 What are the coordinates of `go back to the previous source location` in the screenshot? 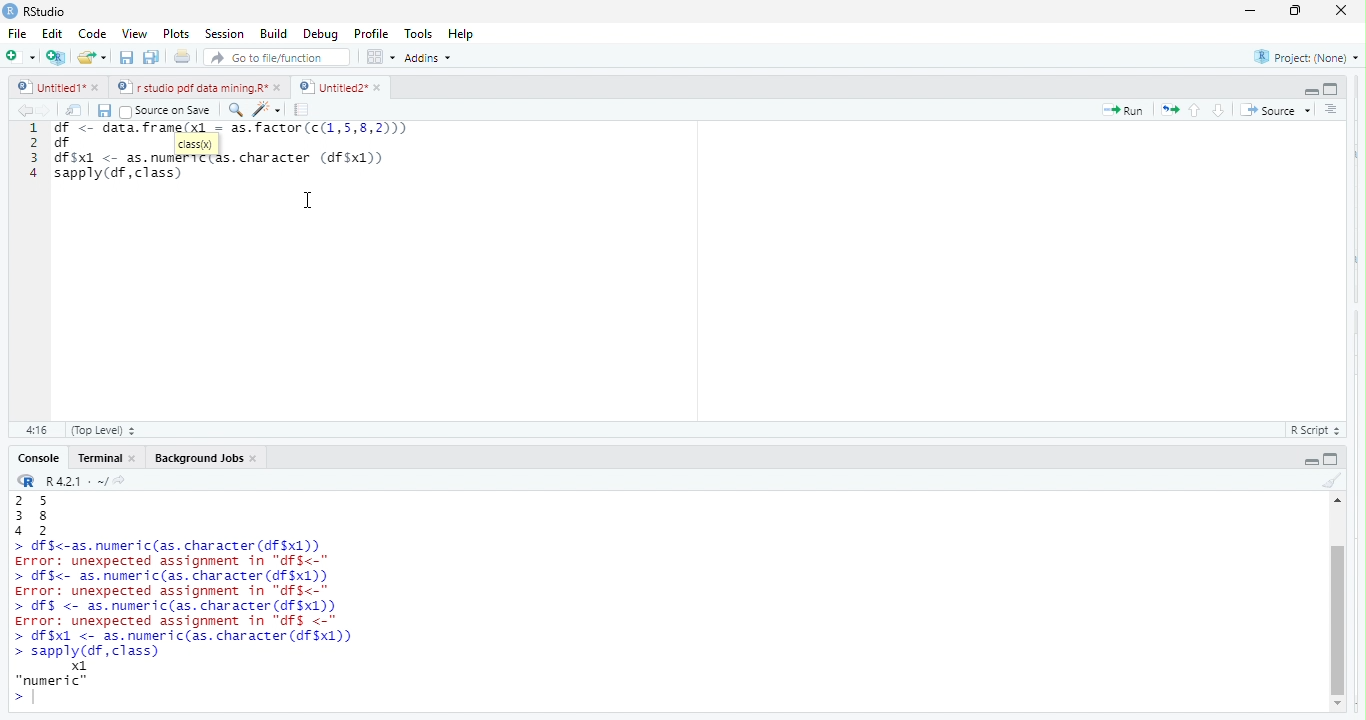 It's located at (24, 110).